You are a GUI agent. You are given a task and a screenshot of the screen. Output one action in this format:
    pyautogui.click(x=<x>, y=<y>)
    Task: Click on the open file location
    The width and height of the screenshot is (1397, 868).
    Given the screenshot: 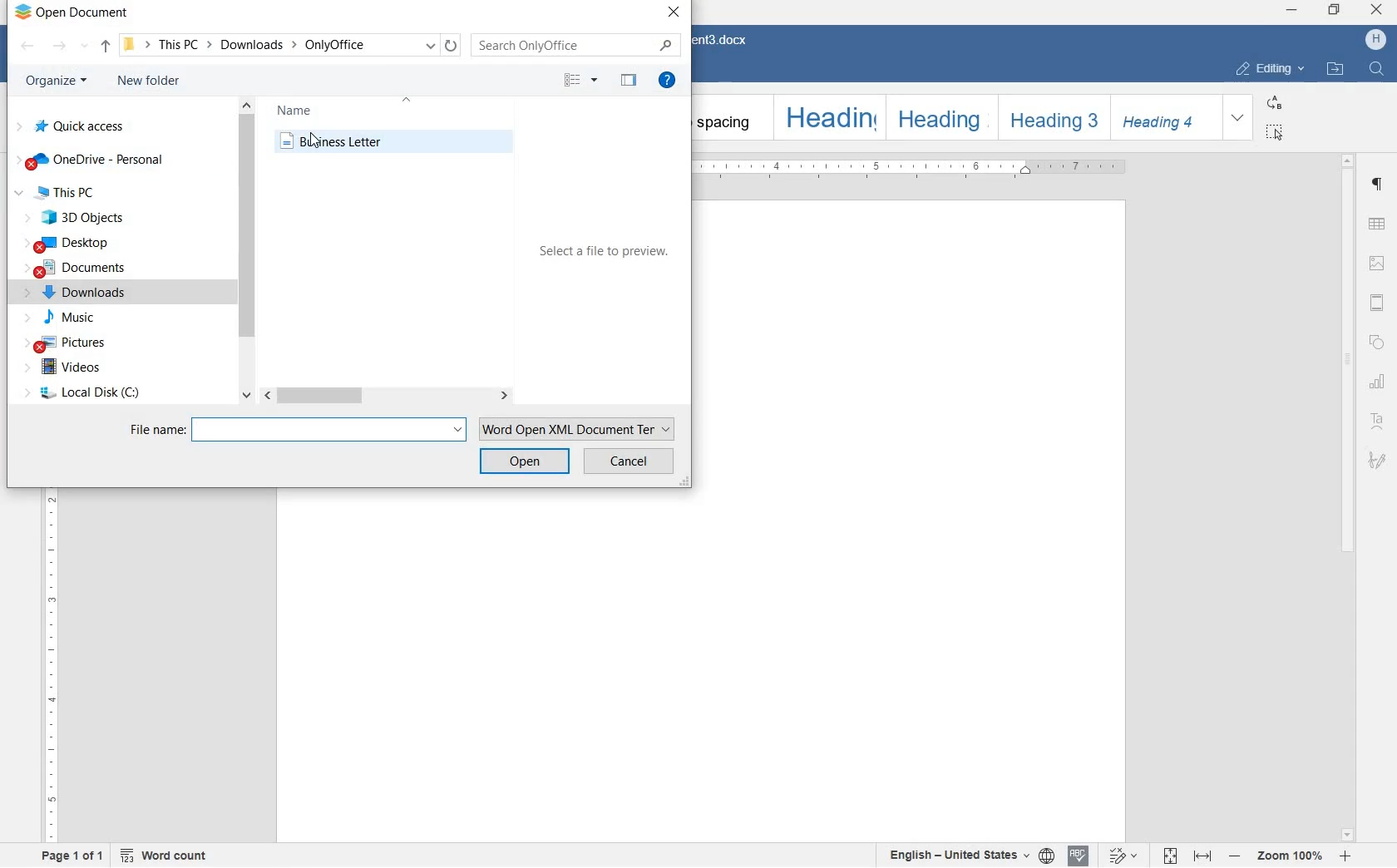 What is the action you would take?
    pyautogui.click(x=1334, y=70)
    